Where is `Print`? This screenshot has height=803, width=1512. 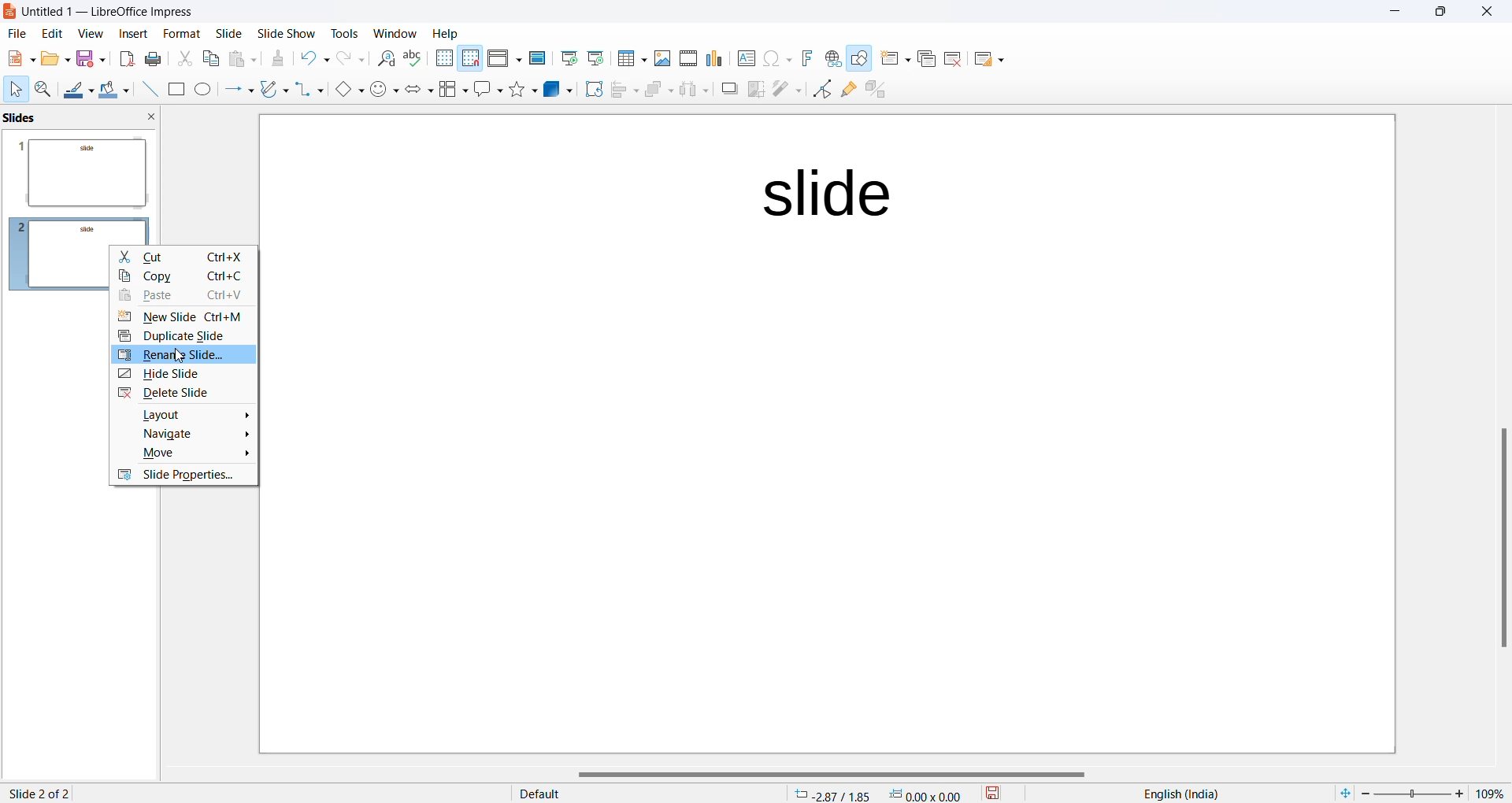 Print is located at coordinates (155, 58).